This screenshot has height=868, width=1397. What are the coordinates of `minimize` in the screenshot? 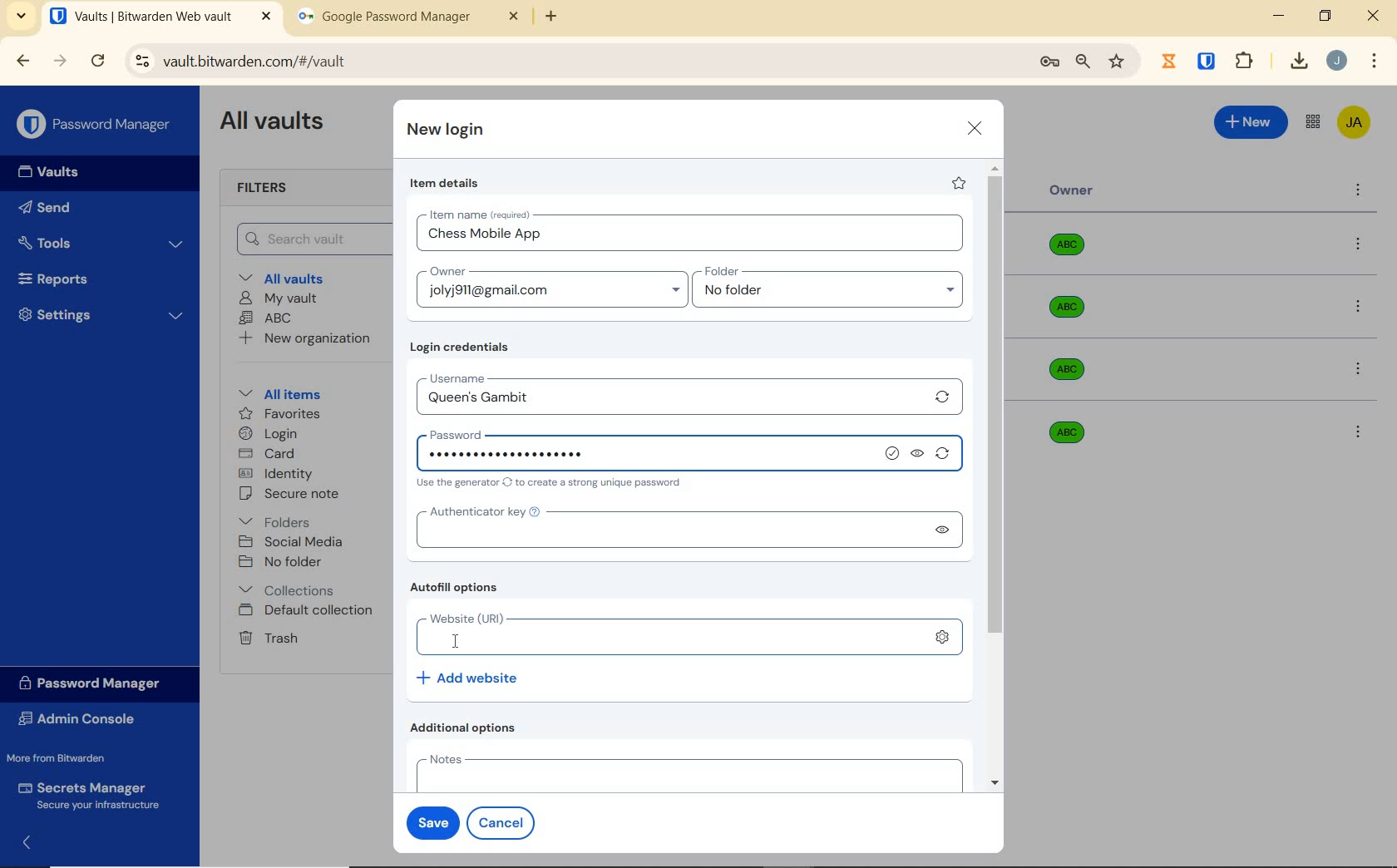 It's located at (1278, 16).